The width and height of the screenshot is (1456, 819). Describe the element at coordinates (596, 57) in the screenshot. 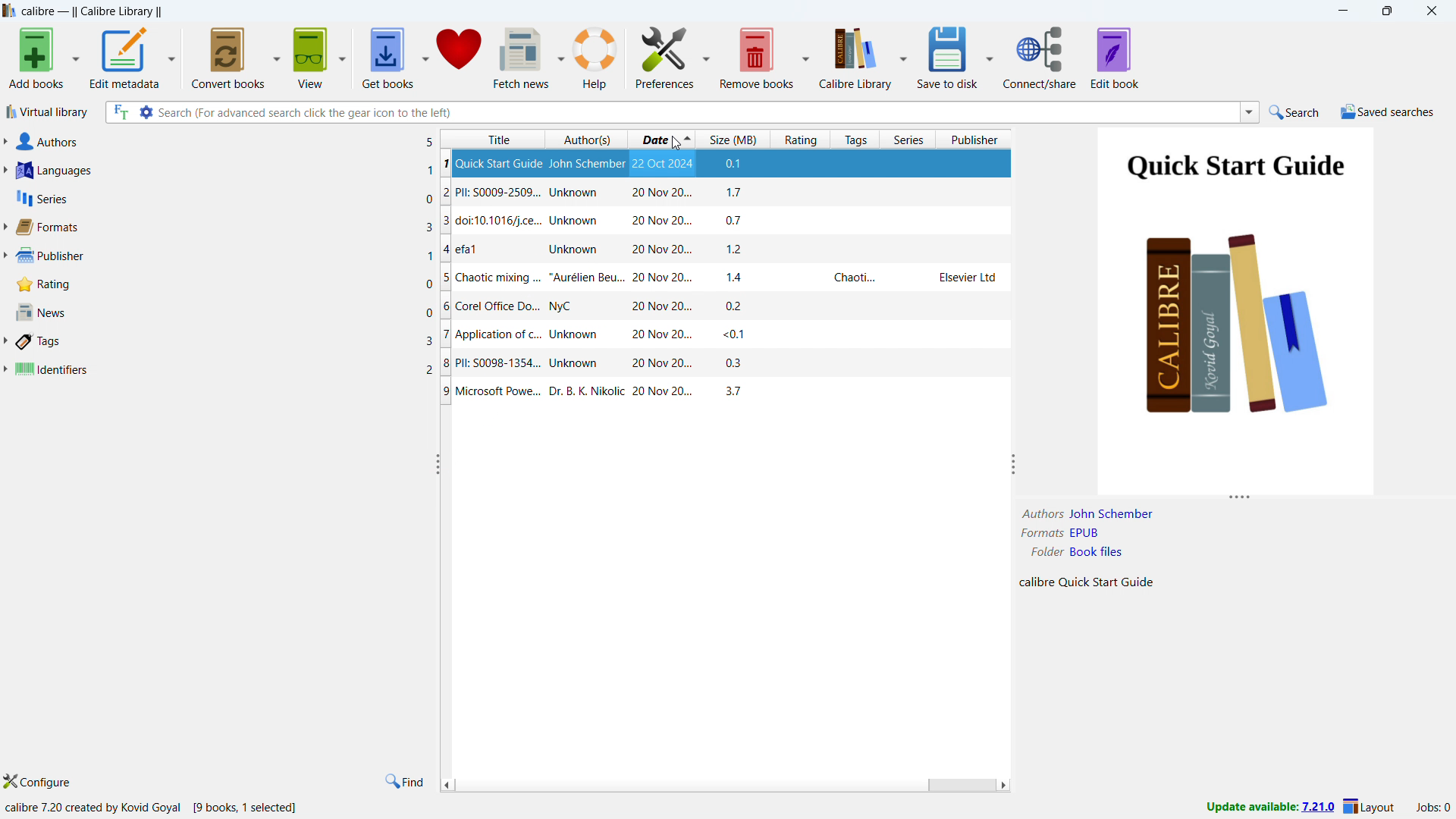

I see `help` at that location.